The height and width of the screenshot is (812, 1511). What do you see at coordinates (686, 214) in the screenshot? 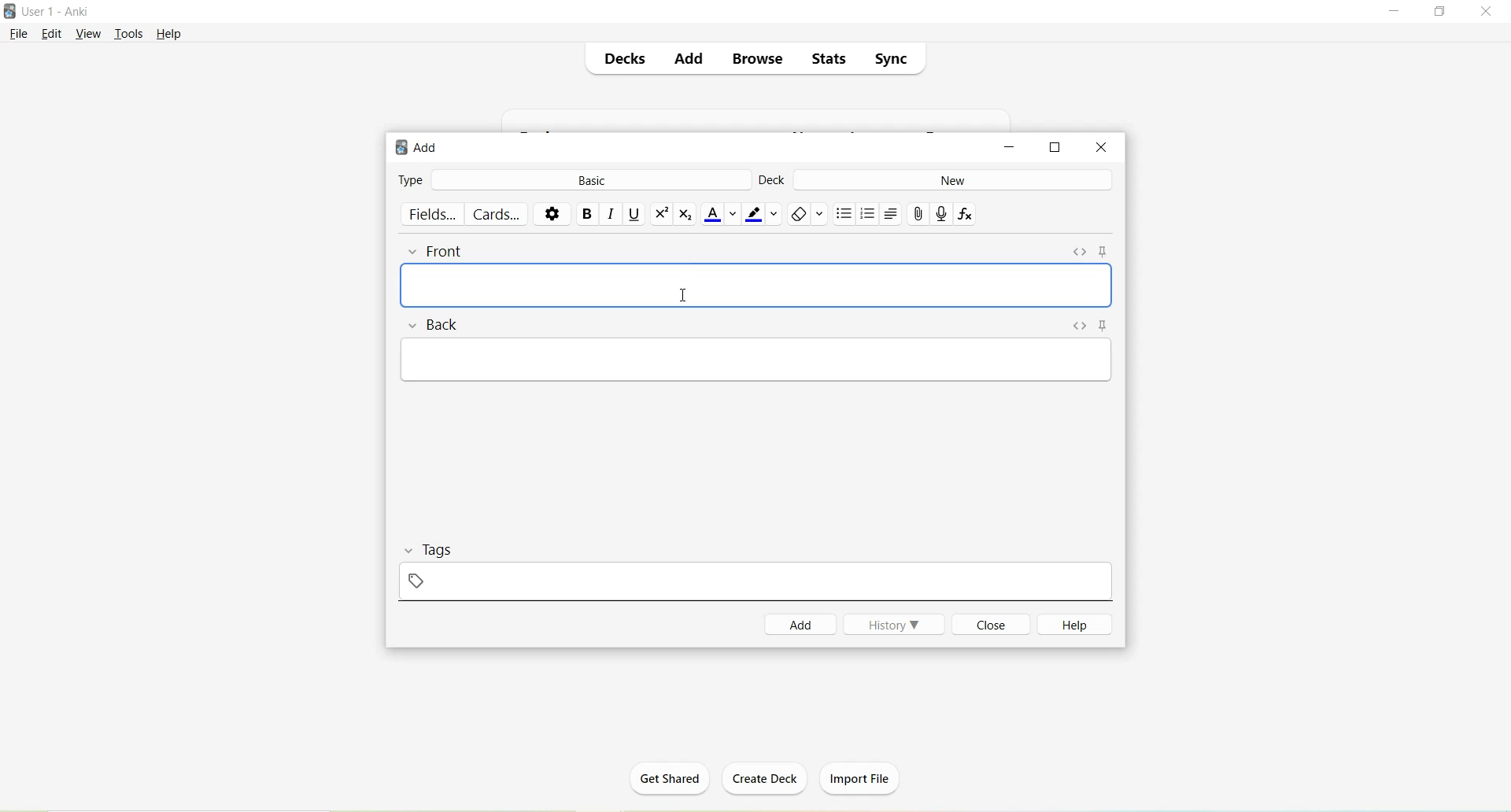
I see `Subscript` at bounding box center [686, 214].